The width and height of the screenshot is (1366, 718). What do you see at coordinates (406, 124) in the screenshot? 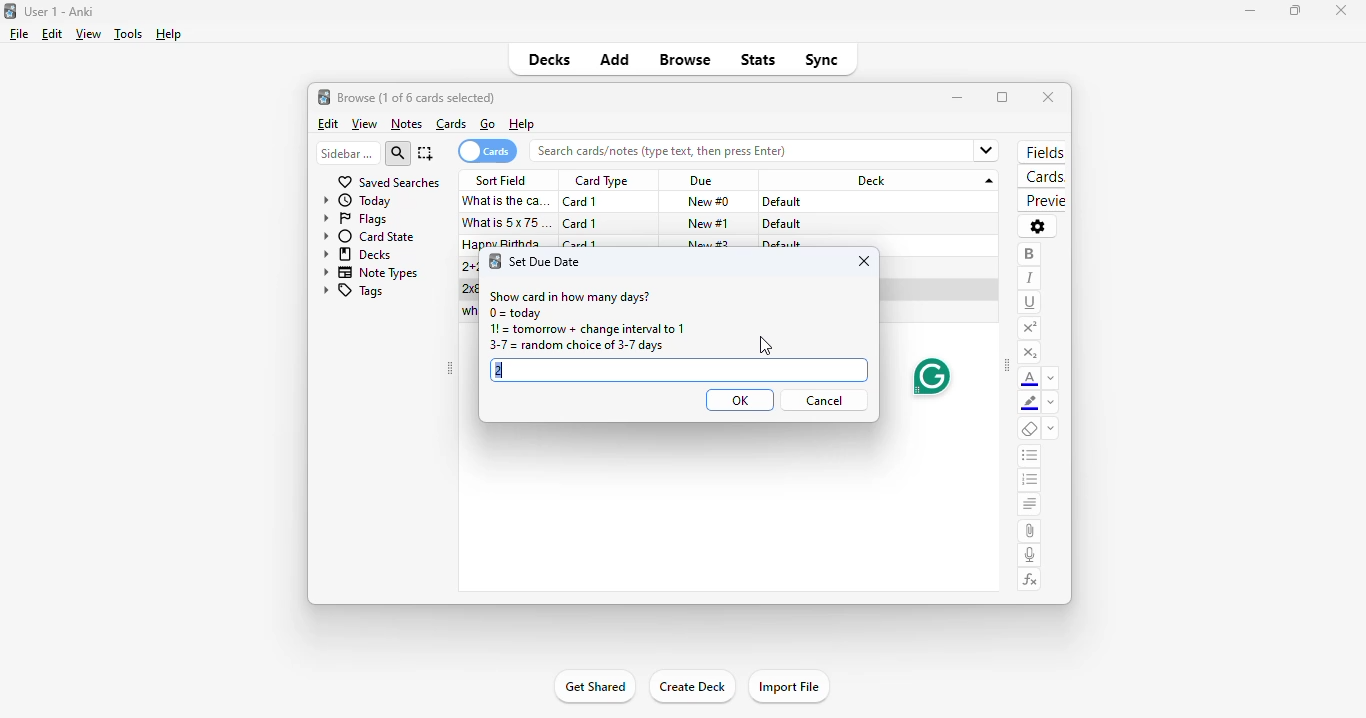
I see `notes` at bounding box center [406, 124].